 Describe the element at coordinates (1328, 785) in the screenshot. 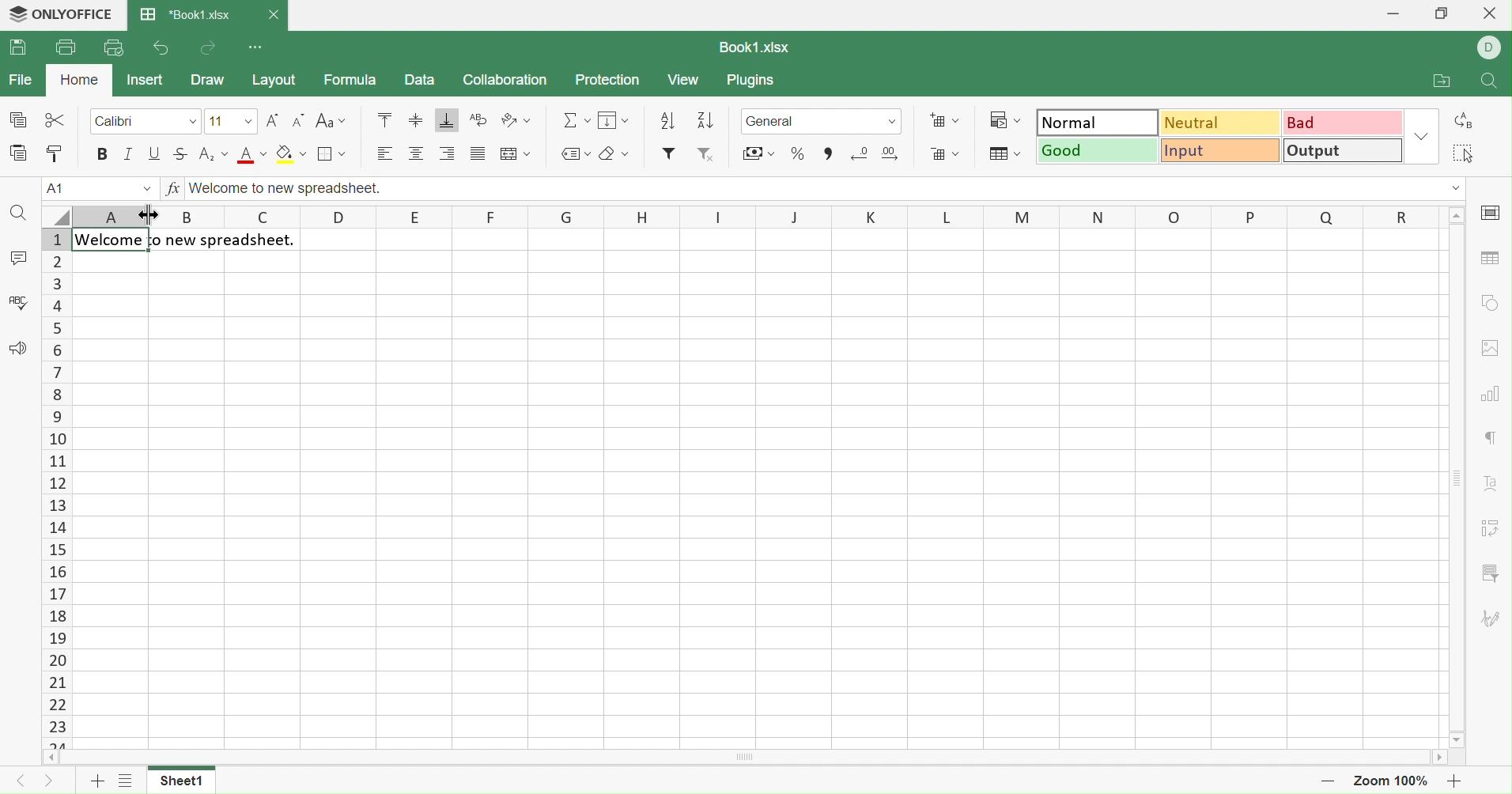

I see `Zoom Out` at that location.